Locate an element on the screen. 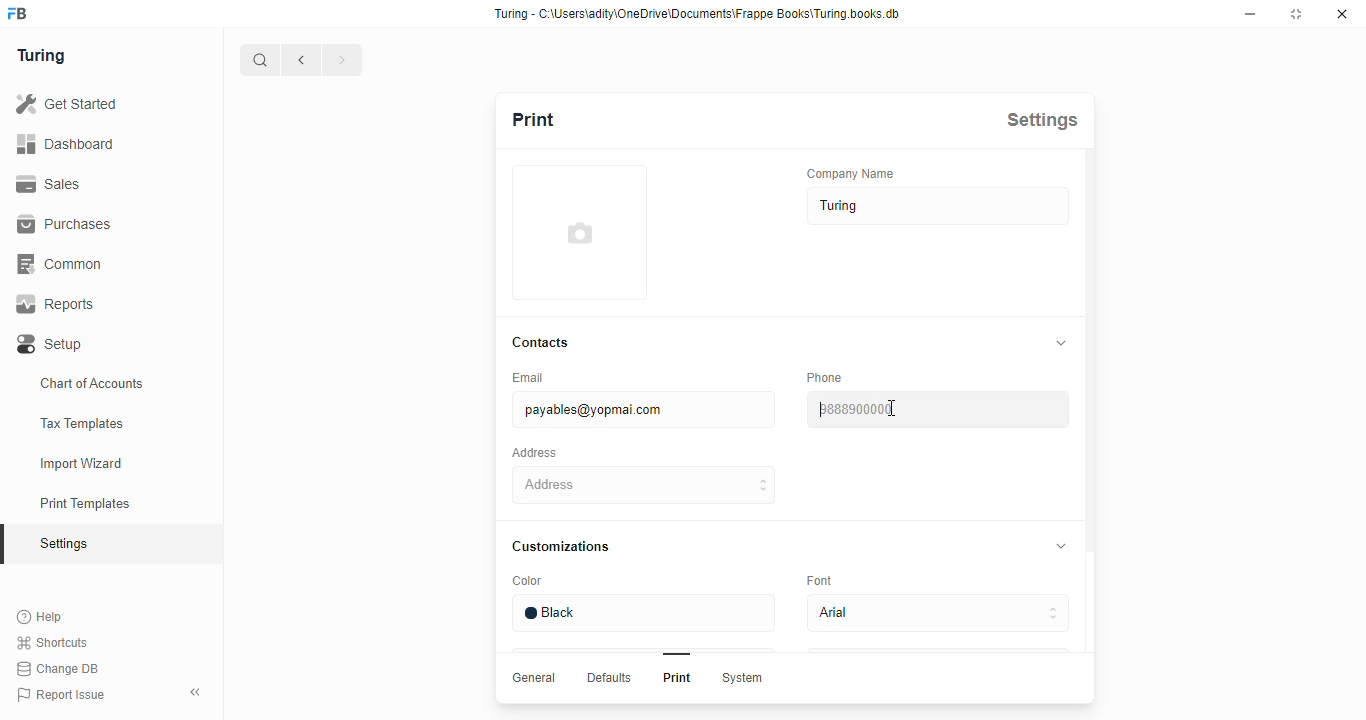  Settings
oy is located at coordinates (98, 546).